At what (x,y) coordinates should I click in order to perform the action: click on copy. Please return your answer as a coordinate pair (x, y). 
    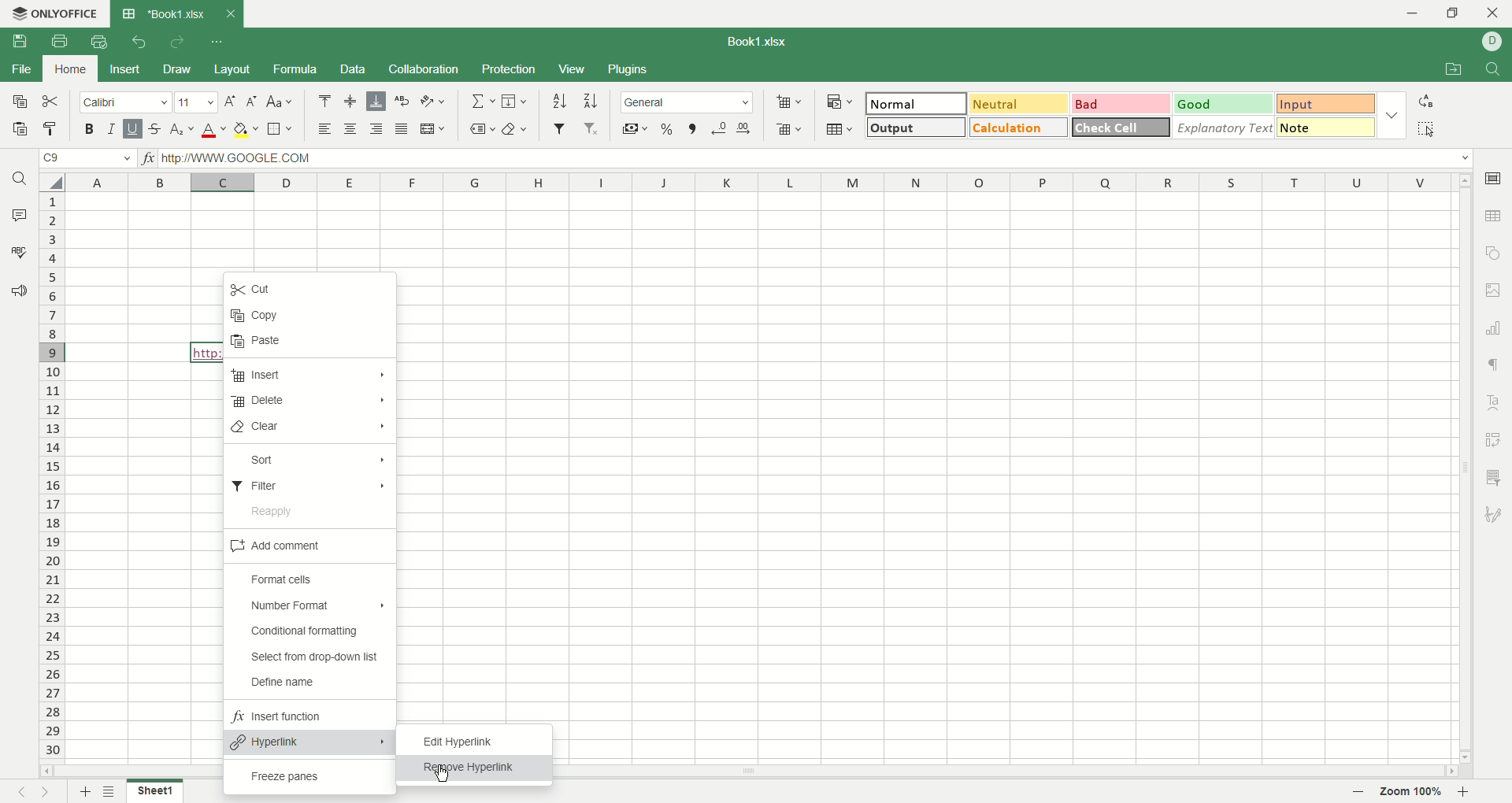
    Looking at the image, I should click on (253, 315).